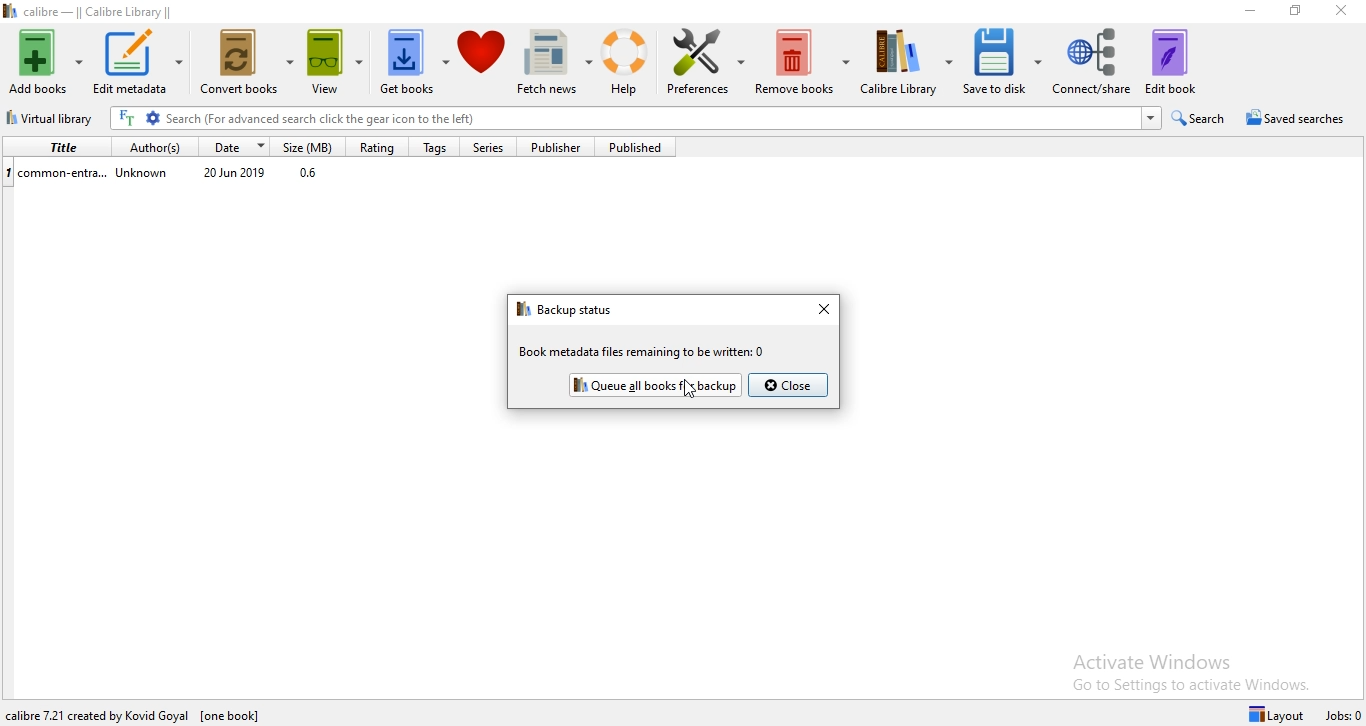 The width and height of the screenshot is (1366, 726). I want to click on 20 Jun 2019, so click(236, 174).